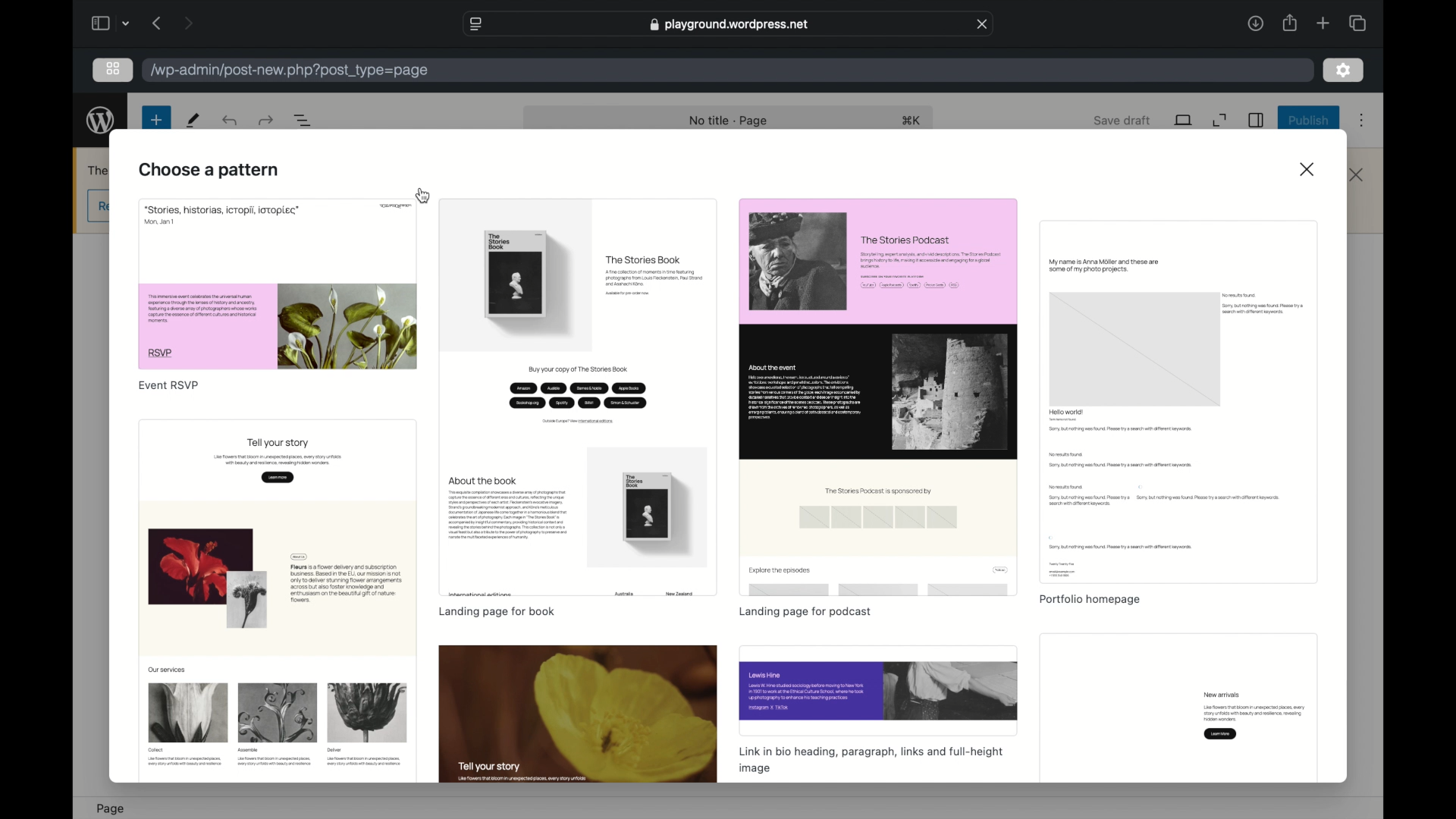 This screenshot has width=1456, height=819. I want to click on publish, so click(1310, 120).